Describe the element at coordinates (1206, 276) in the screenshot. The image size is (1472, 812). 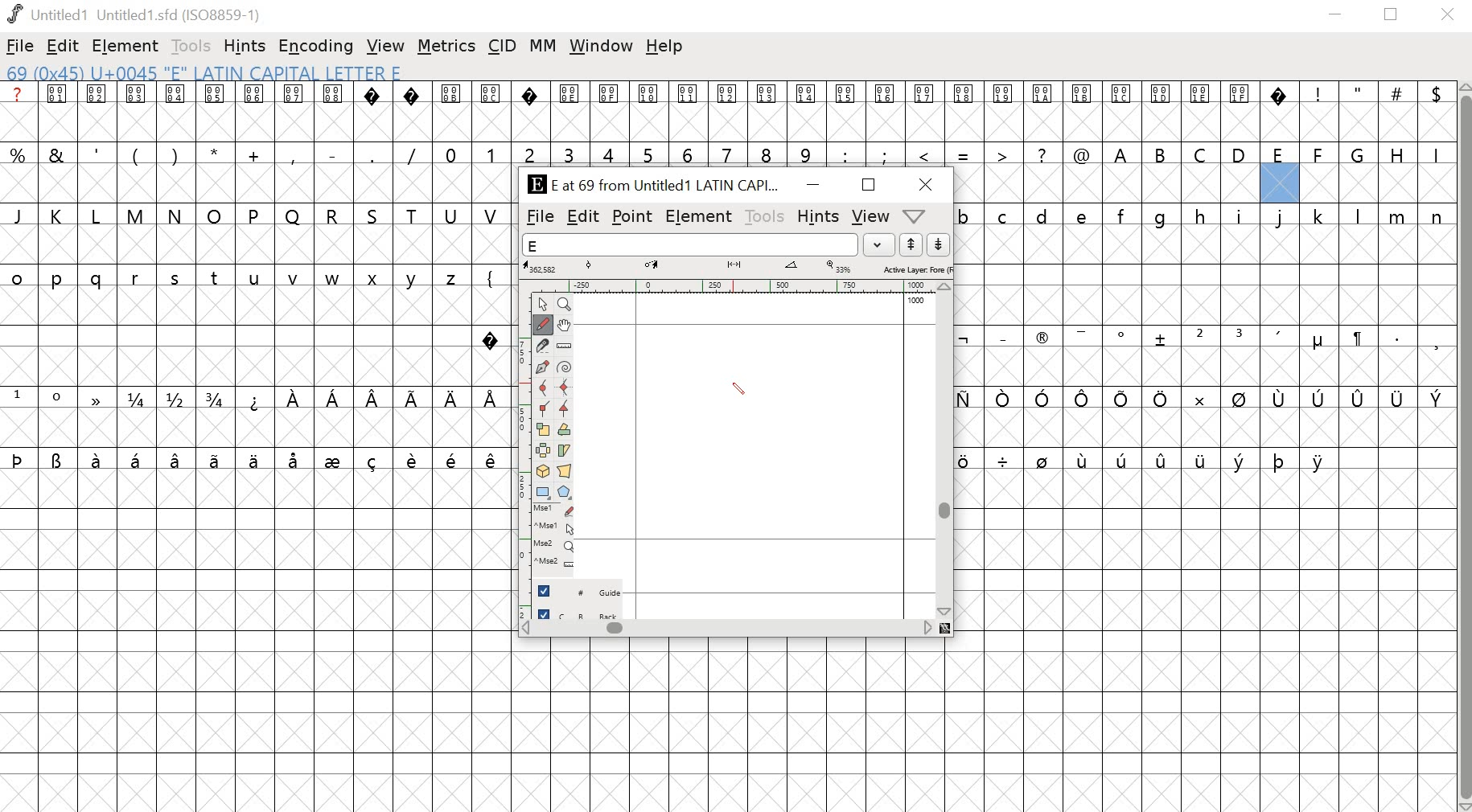
I see `empty cells` at that location.